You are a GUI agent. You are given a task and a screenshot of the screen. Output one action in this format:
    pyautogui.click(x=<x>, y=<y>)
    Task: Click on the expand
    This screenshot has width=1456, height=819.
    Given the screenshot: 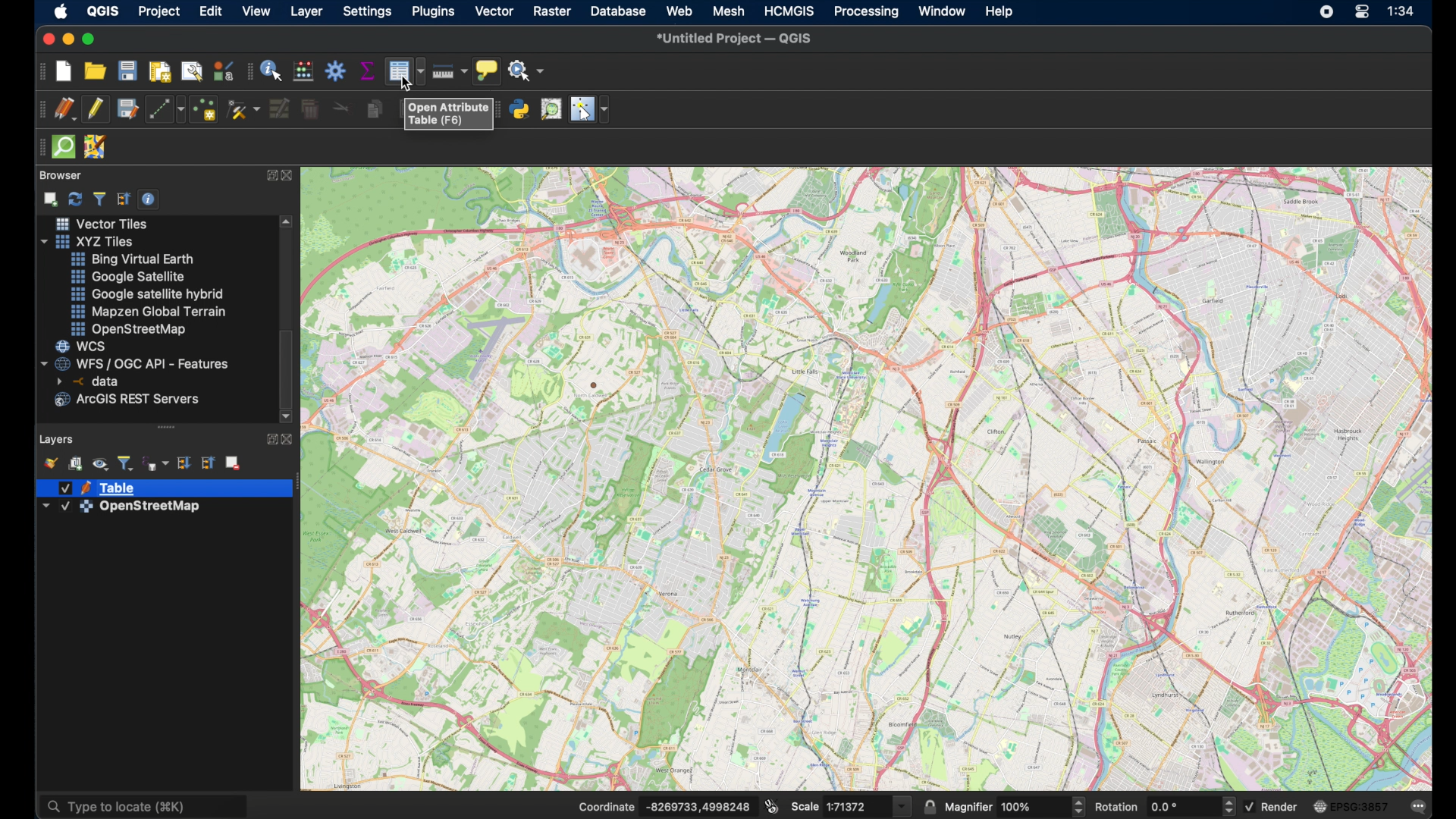 What is the action you would take?
    pyautogui.click(x=269, y=176)
    